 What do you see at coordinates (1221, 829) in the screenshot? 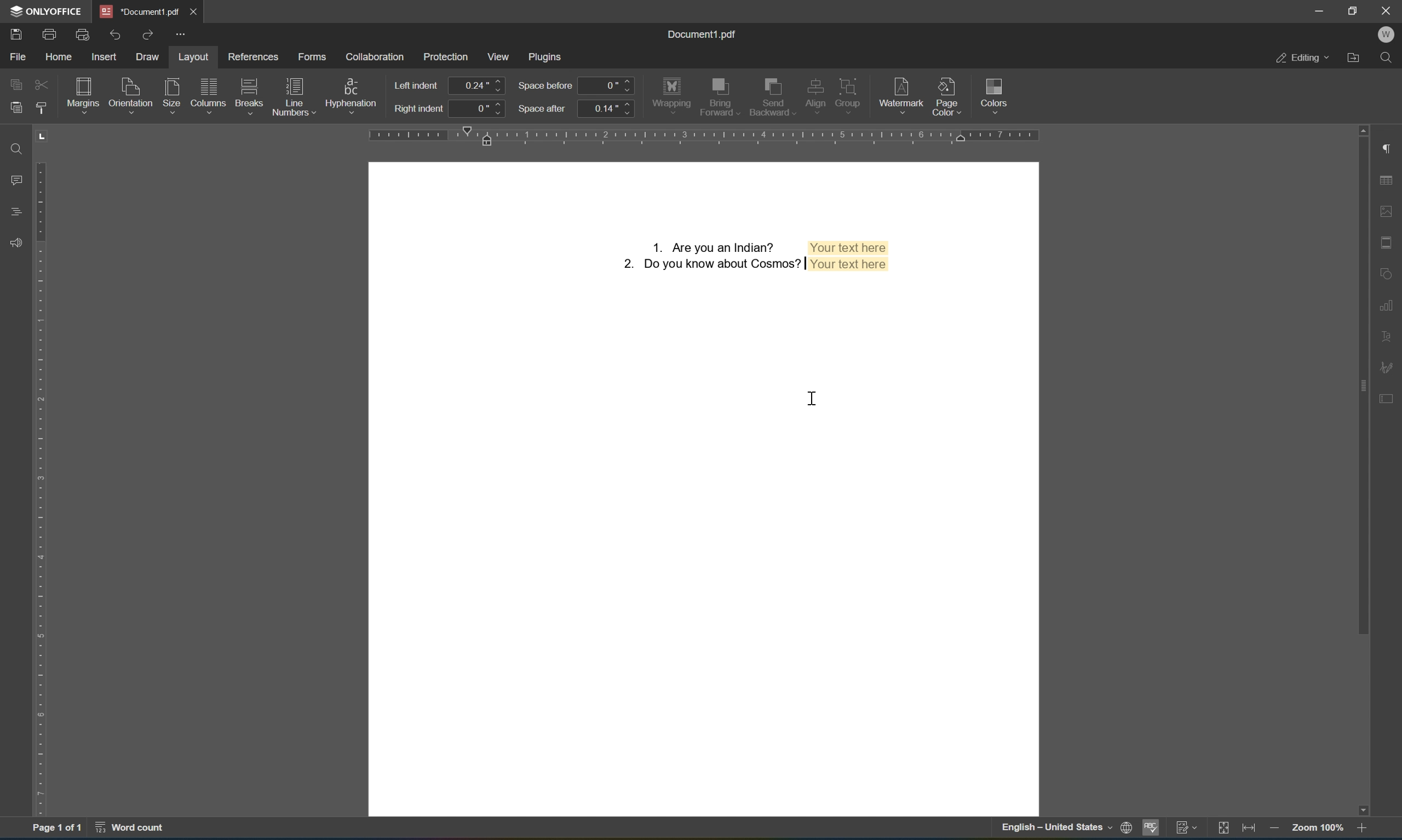
I see `fit to slide` at bounding box center [1221, 829].